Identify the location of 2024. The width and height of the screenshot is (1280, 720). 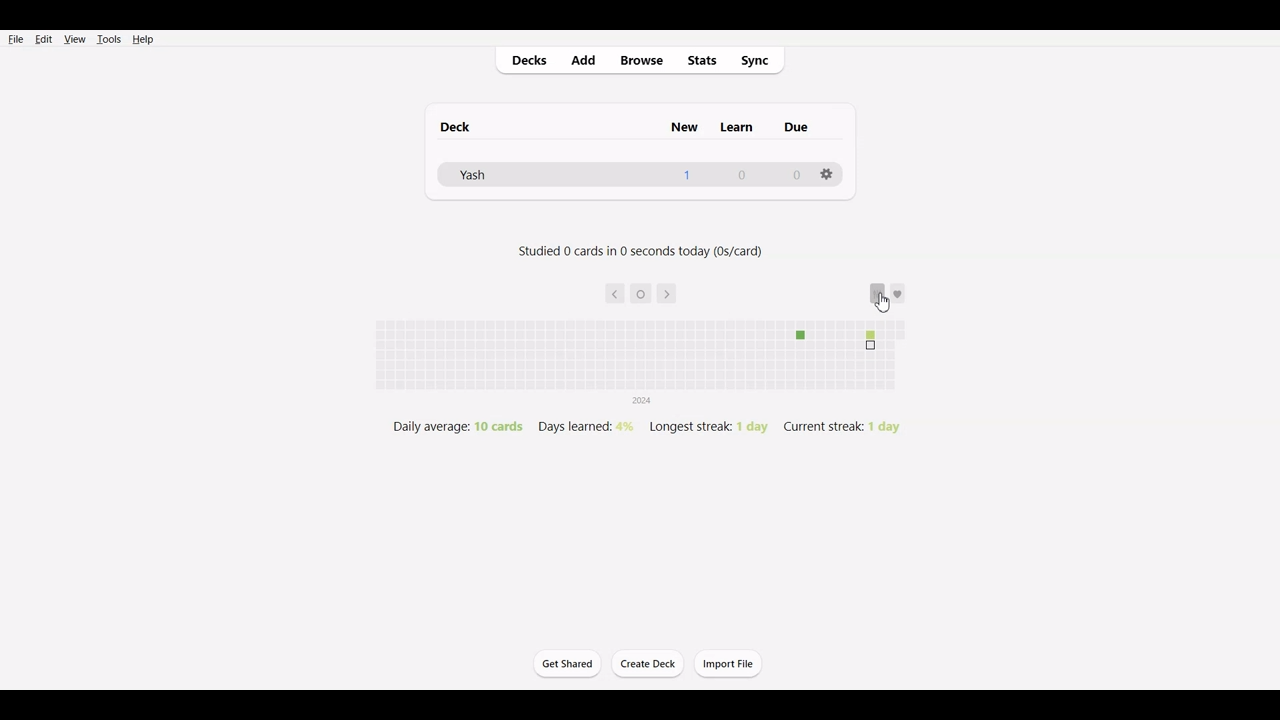
(649, 402).